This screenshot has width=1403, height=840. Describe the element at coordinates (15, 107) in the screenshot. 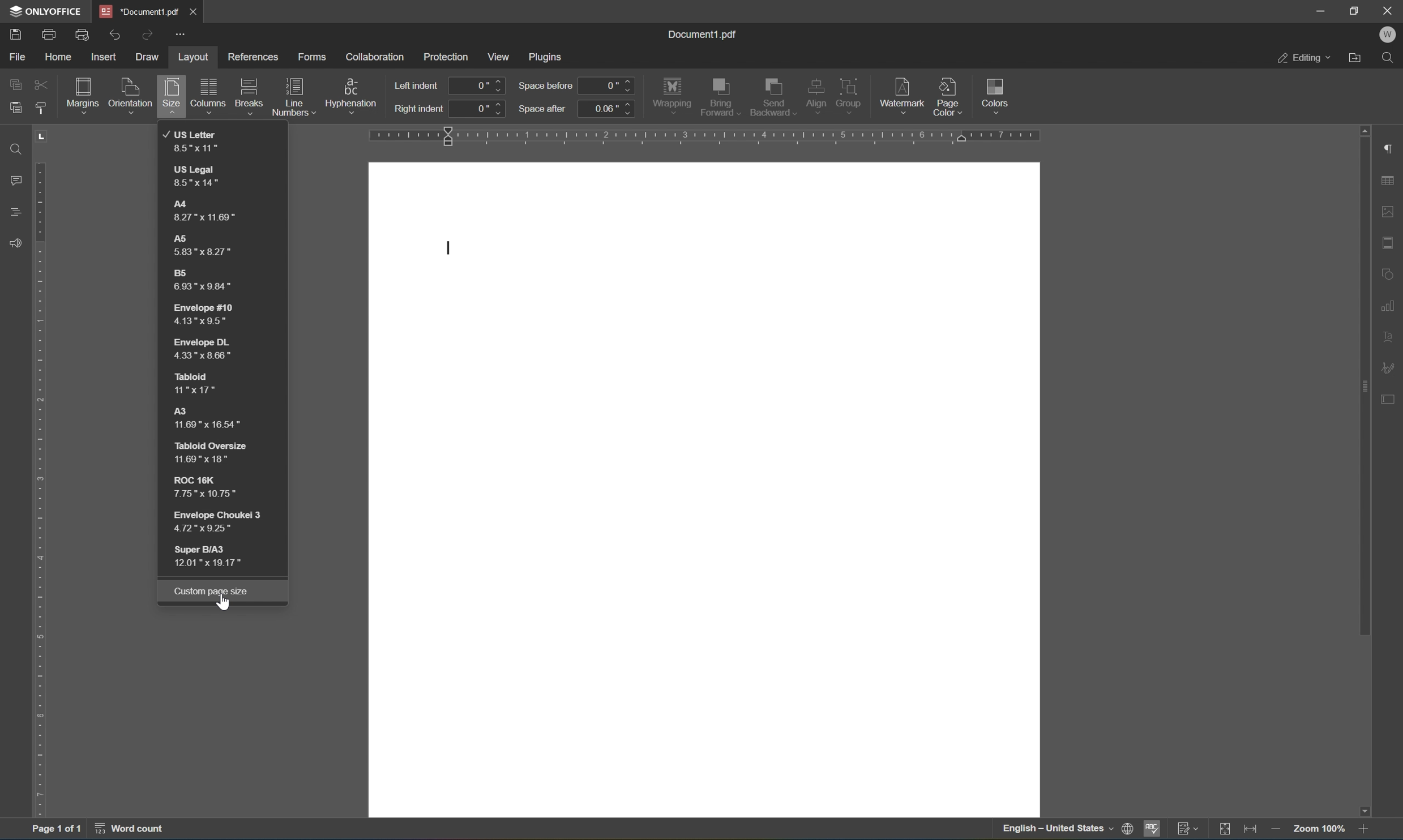

I see `paste` at that location.